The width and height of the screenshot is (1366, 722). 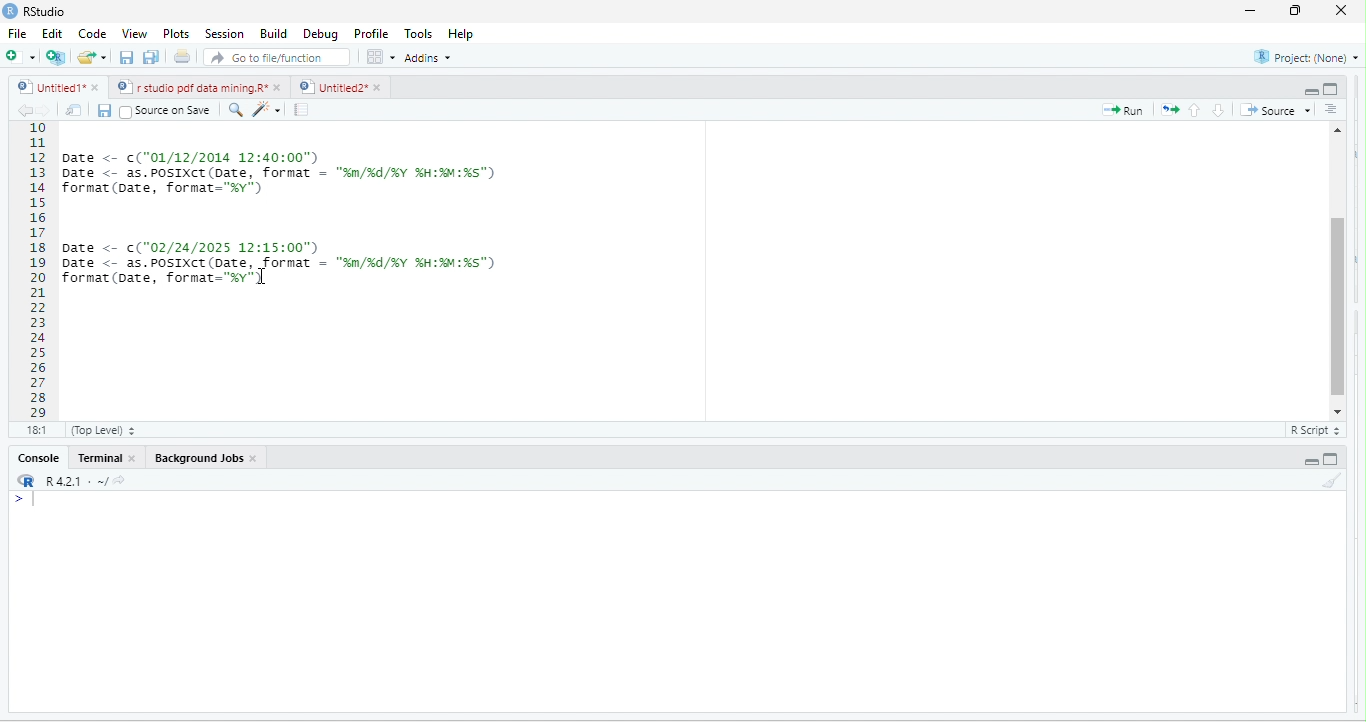 What do you see at coordinates (318, 282) in the screenshot?
I see `< format(x, -) 24/2025 12:15:00")
<= as.POSIXCT (Date, format = “%m/¥d/%Y %H:imMi%s")
at (pate, format="%v")` at bounding box center [318, 282].